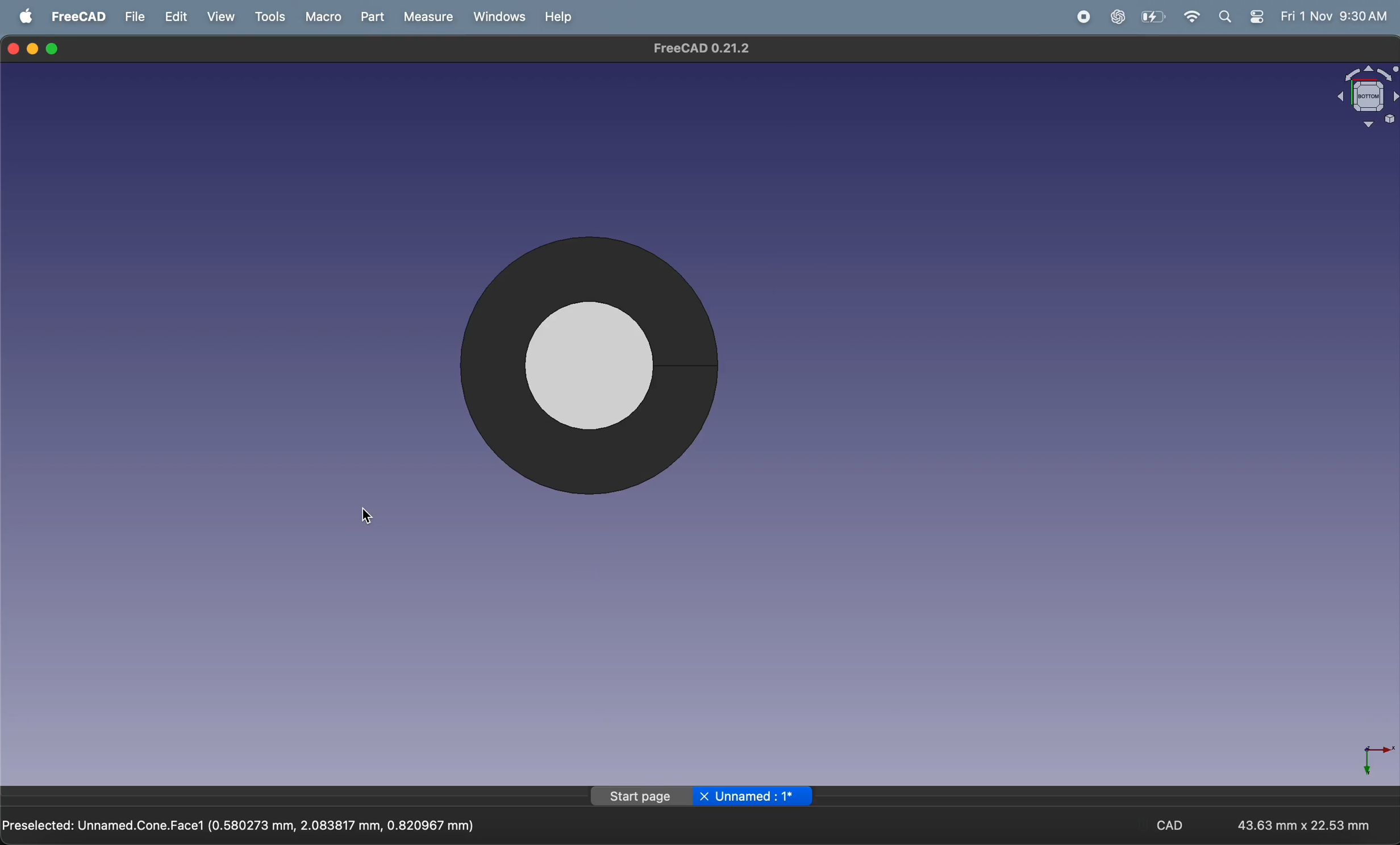 The width and height of the screenshot is (1400, 845). I want to click on help, so click(557, 17).